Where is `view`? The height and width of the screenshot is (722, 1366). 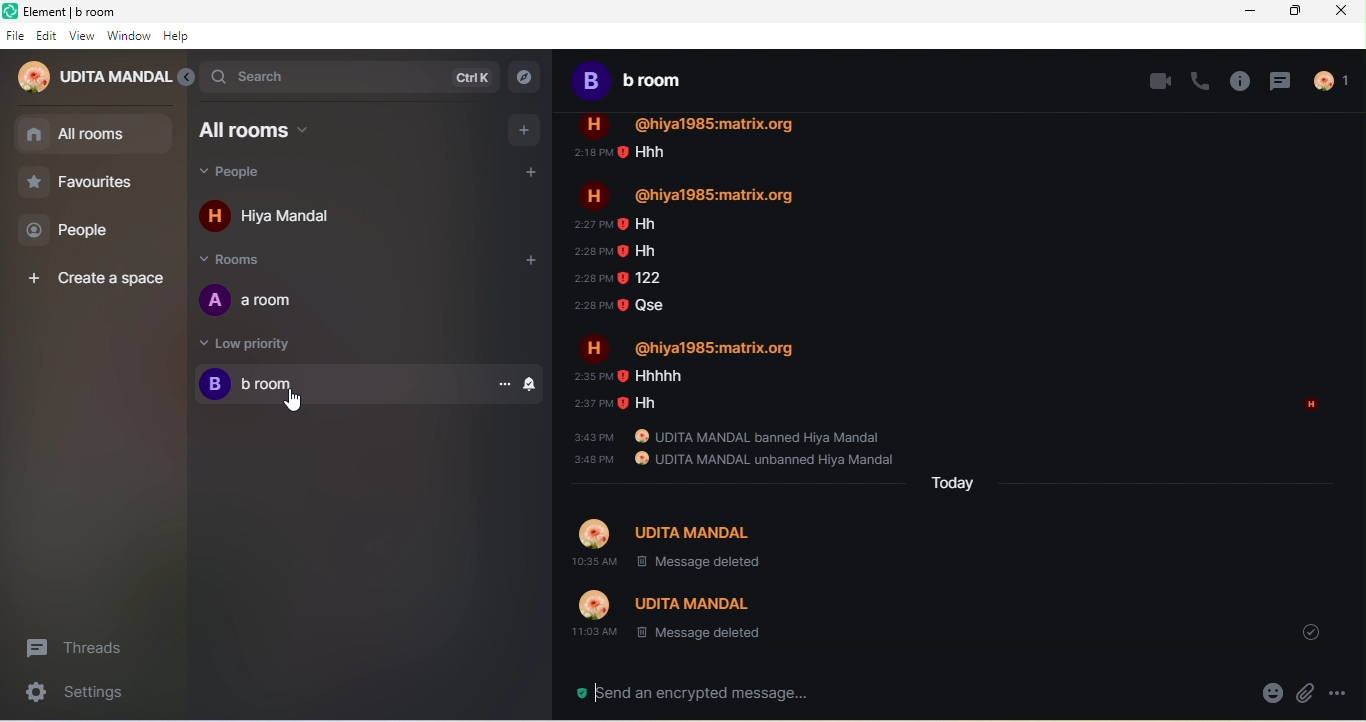
view is located at coordinates (82, 39).